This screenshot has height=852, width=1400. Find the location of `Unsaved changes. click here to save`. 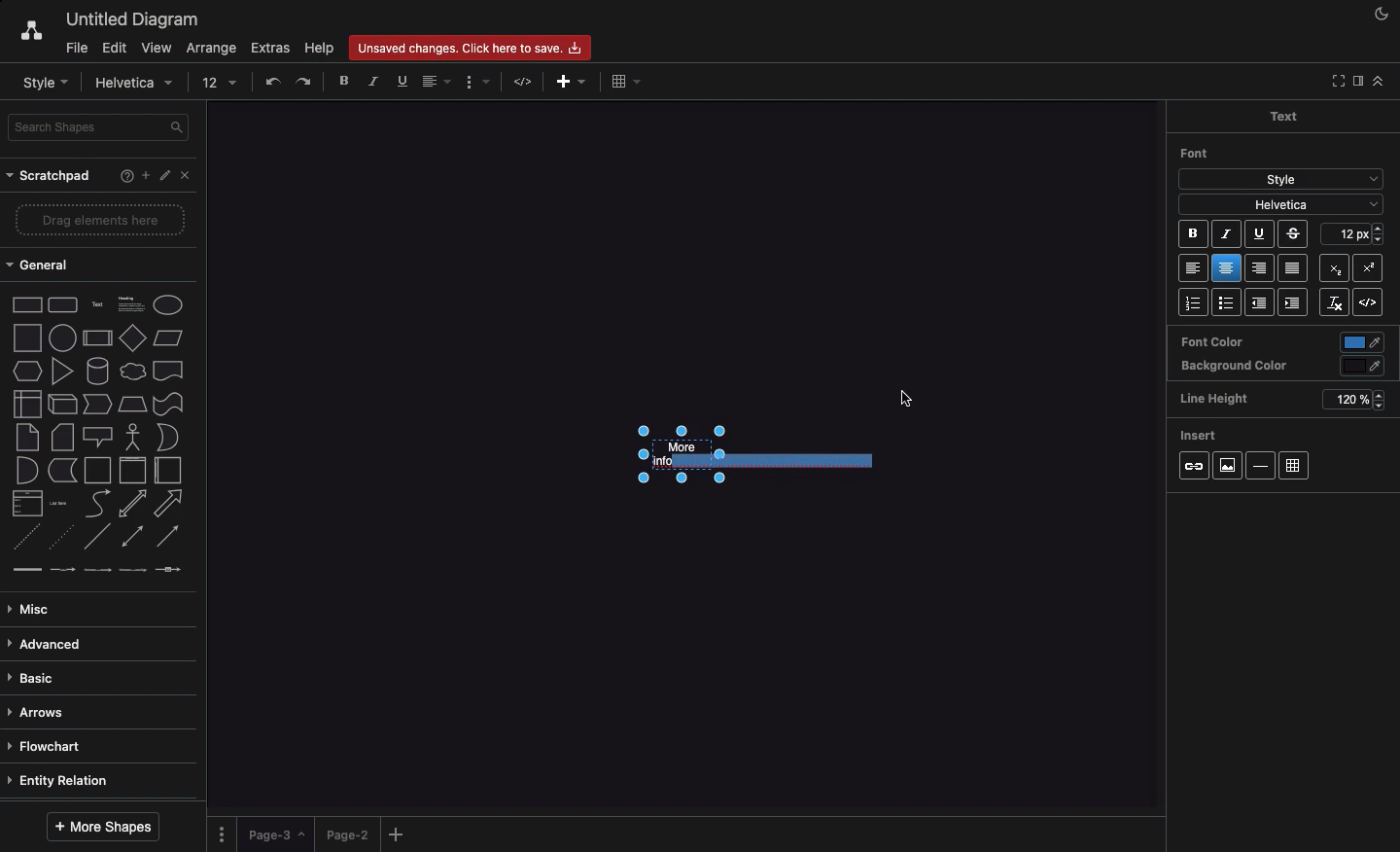

Unsaved changes. click here to save is located at coordinates (468, 47).